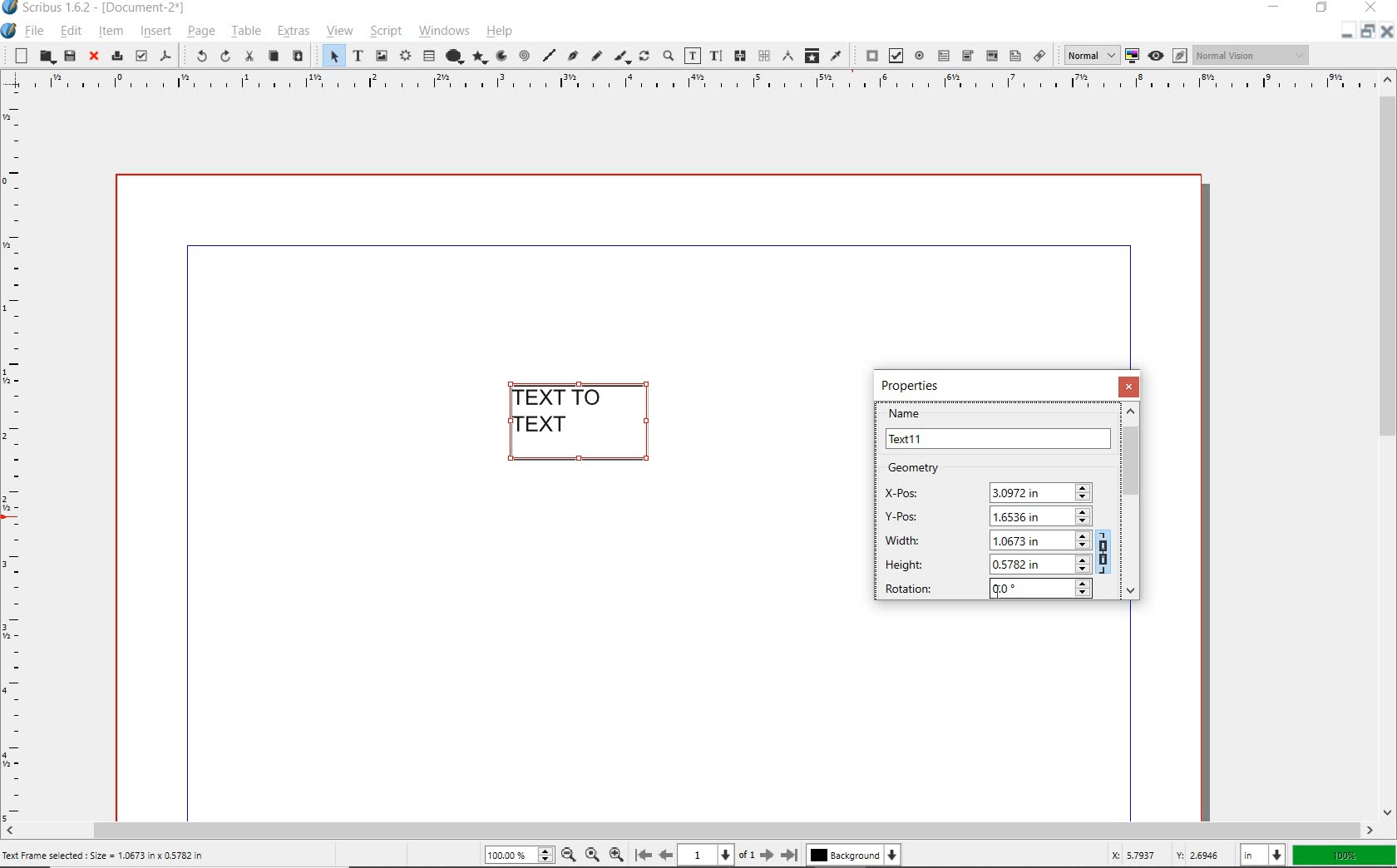 The width and height of the screenshot is (1397, 868). I want to click on pdf radio button, so click(919, 56).